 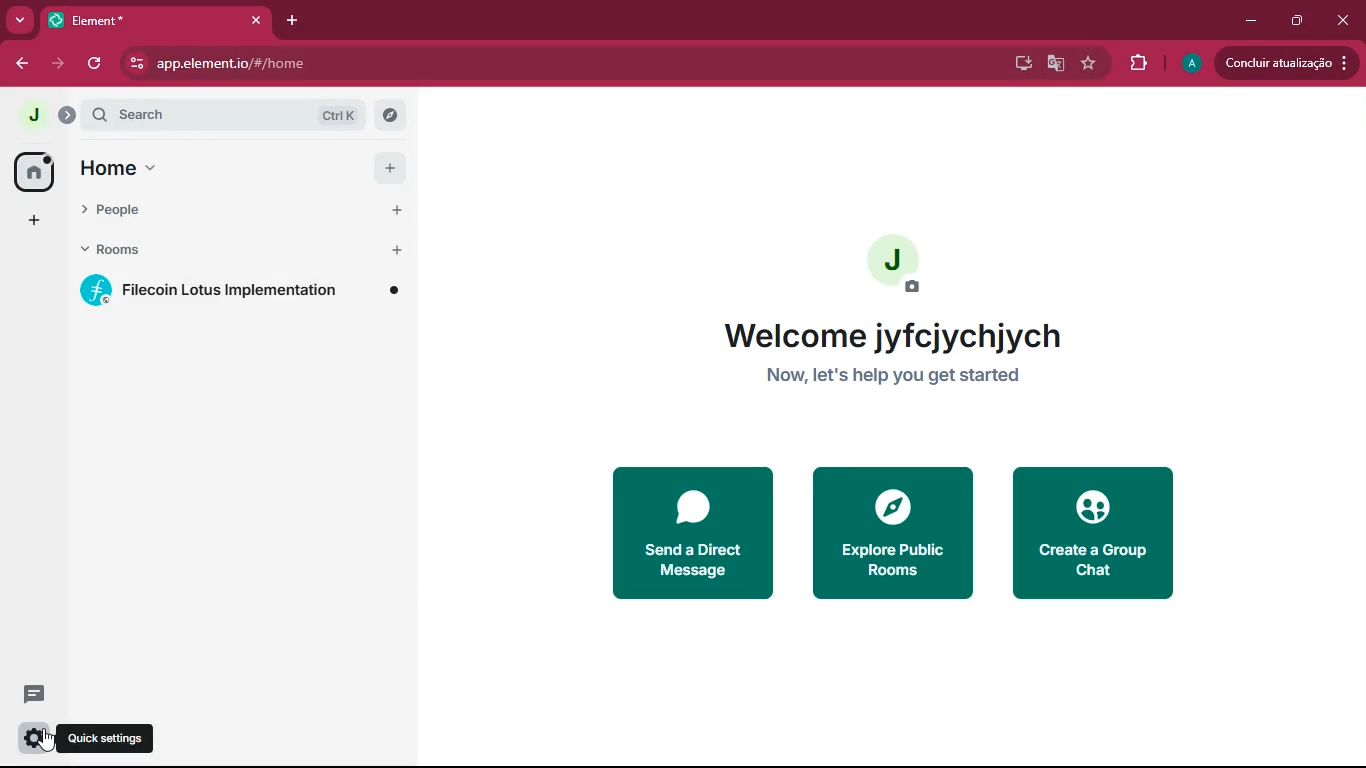 What do you see at coordinates (213, 210) in the screenshot?
I see `people` at bounding box center [213, 210].